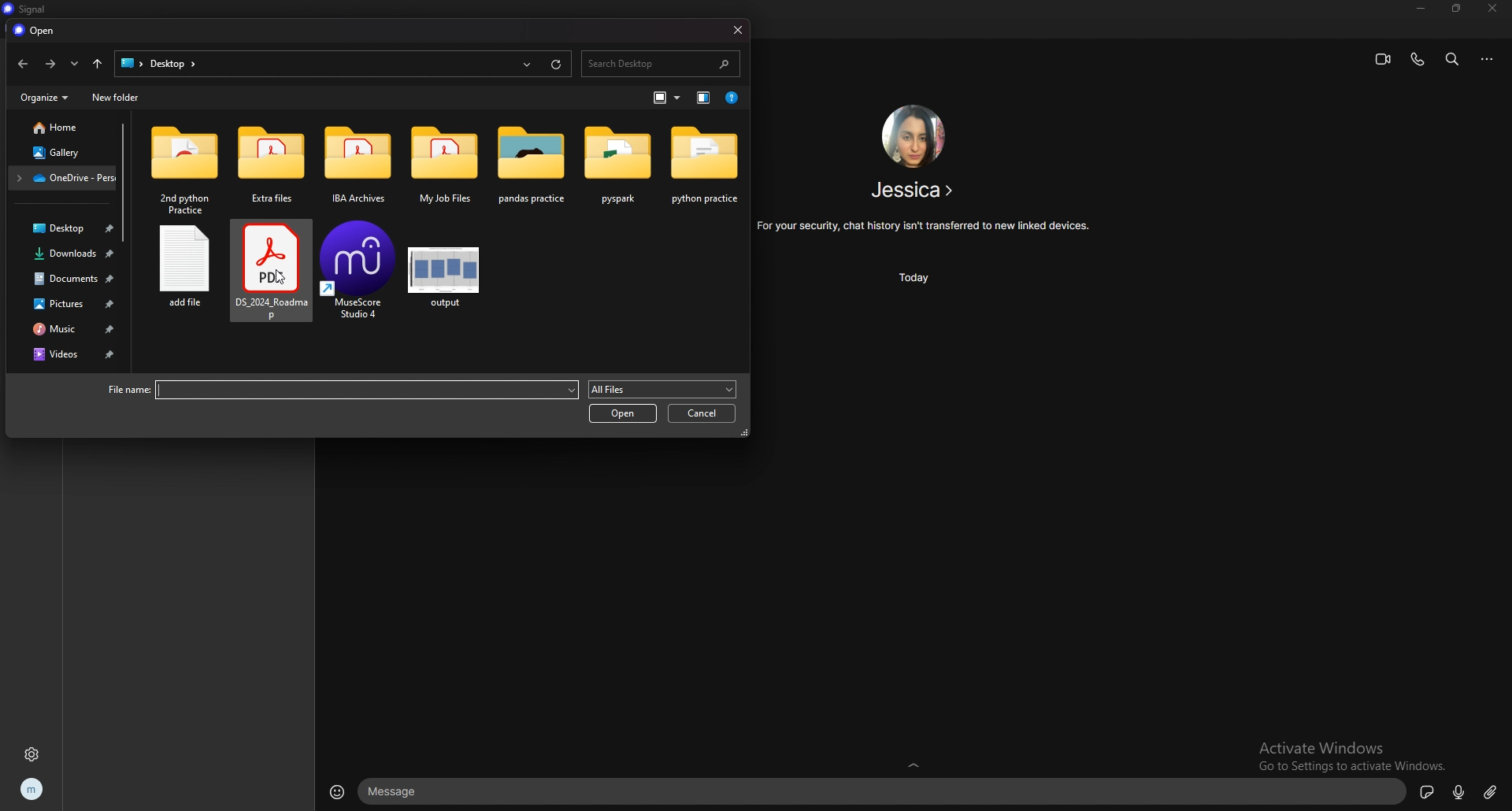 This screenshot has width=1512, height=811. Describe the element at coordinates (269, 165) in the screenshot. I see `folder` at that location.